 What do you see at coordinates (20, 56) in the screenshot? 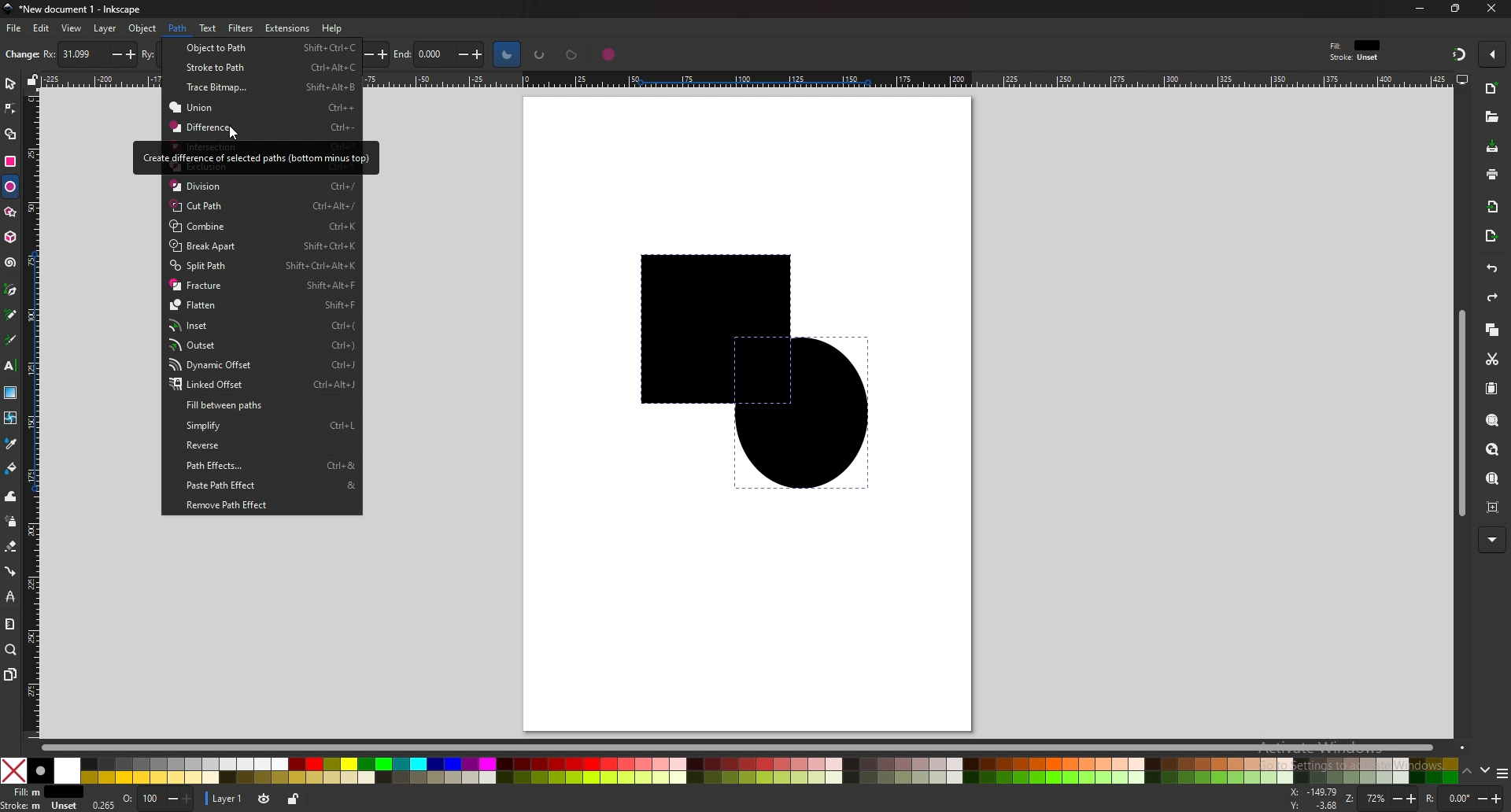
I see `new` at bounding box center [20, 56].